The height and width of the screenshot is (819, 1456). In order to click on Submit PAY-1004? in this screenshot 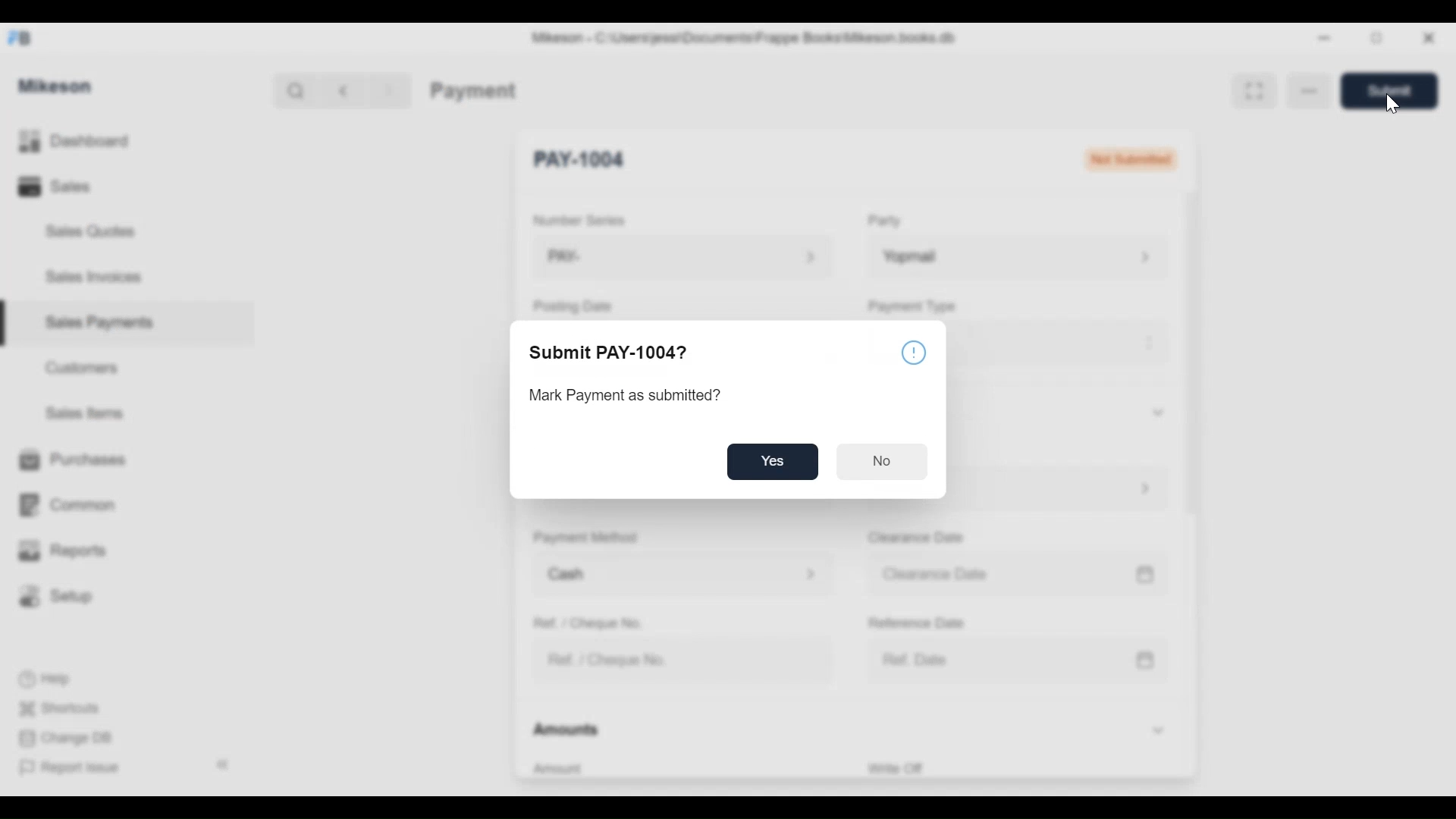, I will do `click(631, 355)`.